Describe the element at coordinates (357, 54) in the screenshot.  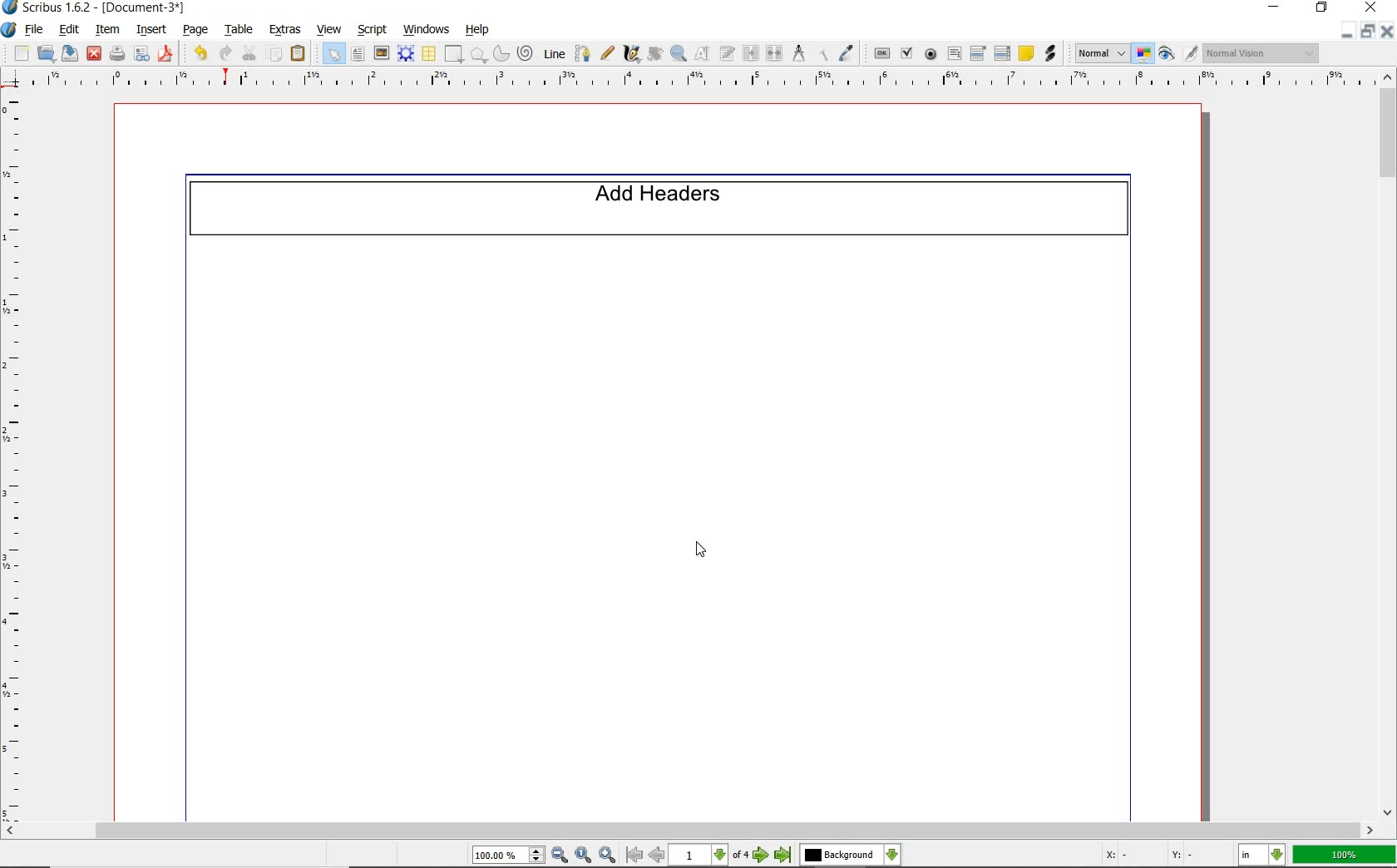
I see `text frame` at that location.